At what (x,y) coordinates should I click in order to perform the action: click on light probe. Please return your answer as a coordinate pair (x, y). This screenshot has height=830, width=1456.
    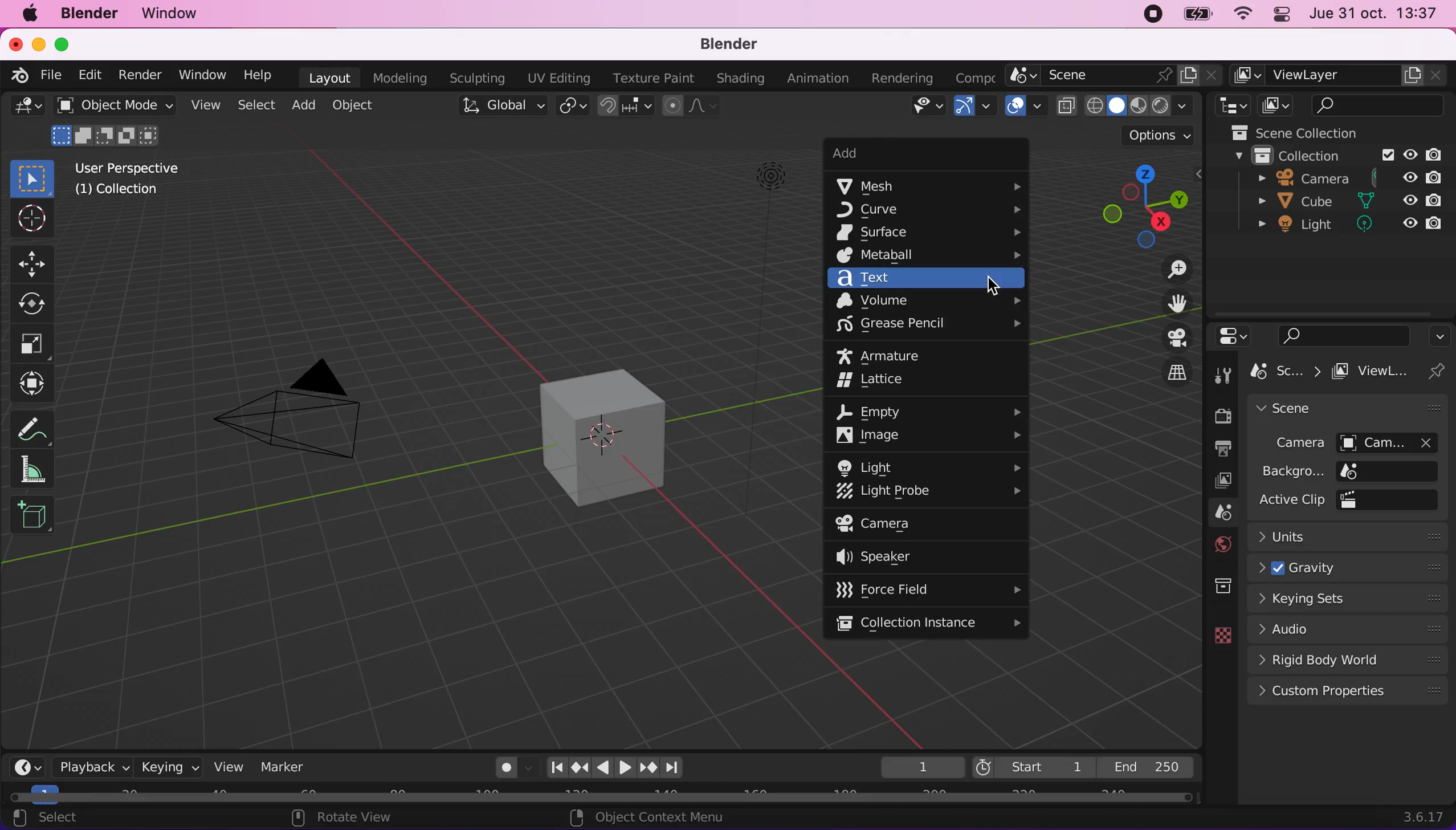
    Looking at the image, I should click on (929, 492).